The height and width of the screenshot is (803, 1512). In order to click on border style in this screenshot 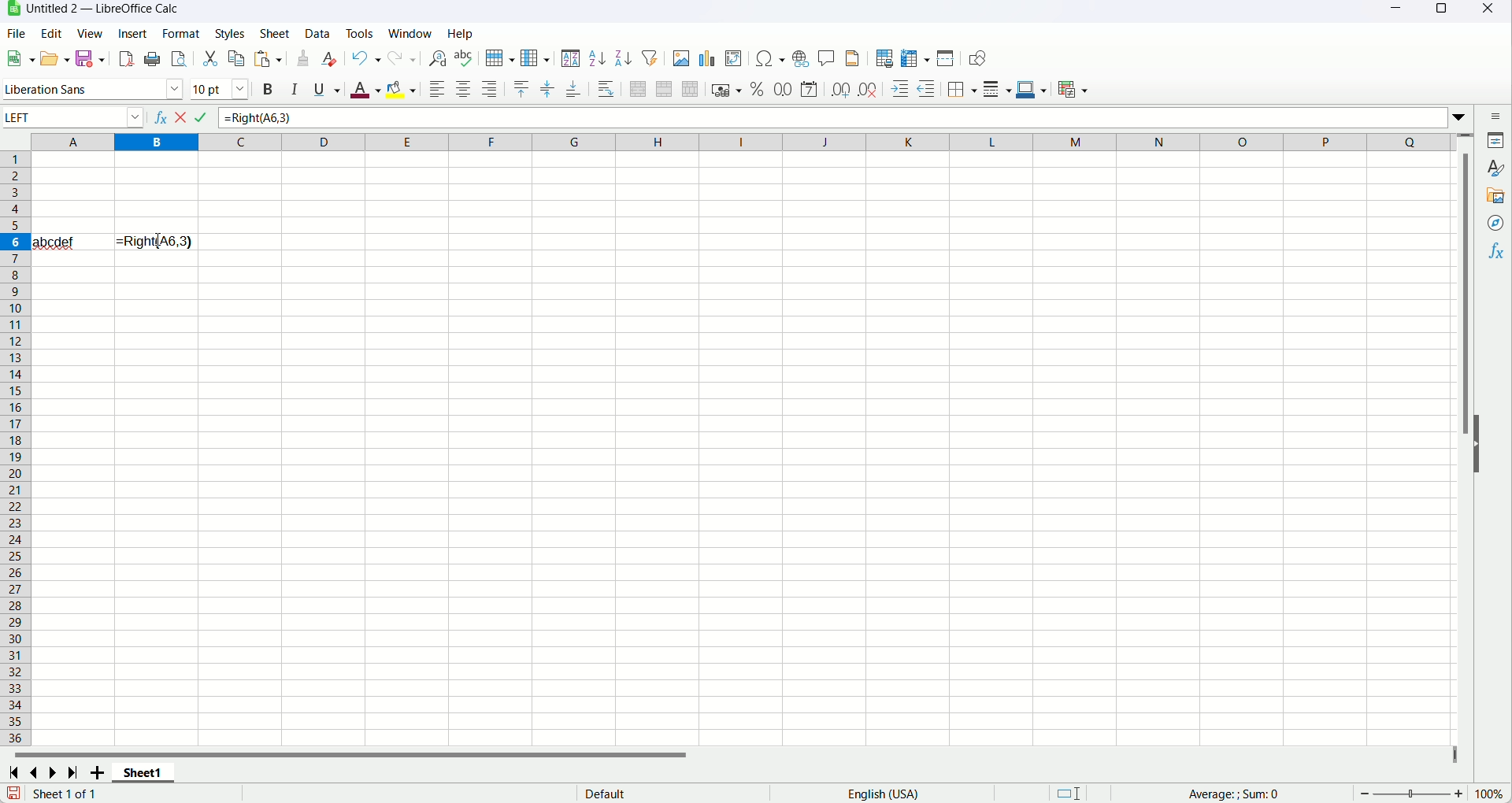, I will do `click(996, 90)`.